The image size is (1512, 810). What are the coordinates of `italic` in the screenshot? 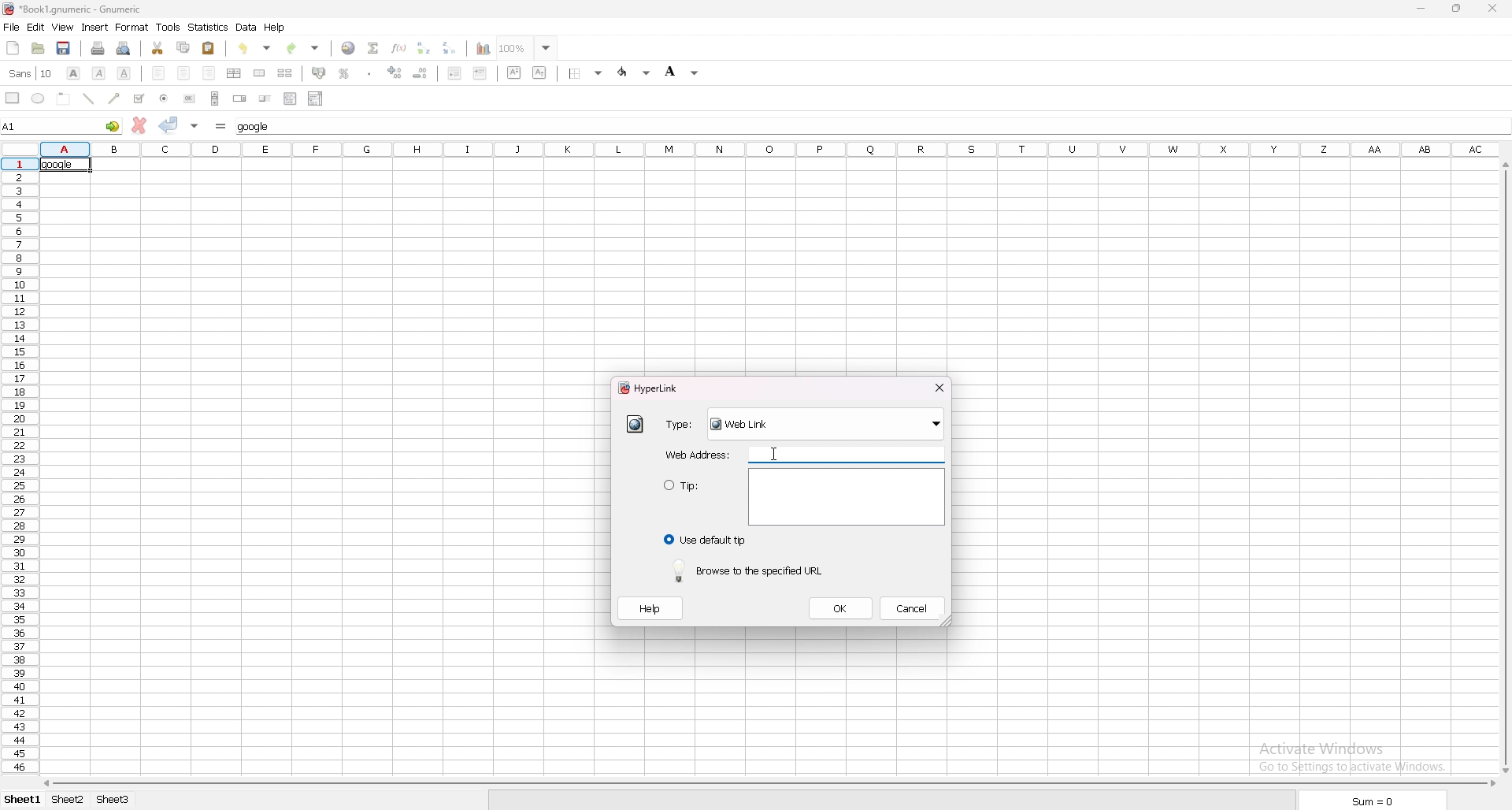 It's located at (100, 72).